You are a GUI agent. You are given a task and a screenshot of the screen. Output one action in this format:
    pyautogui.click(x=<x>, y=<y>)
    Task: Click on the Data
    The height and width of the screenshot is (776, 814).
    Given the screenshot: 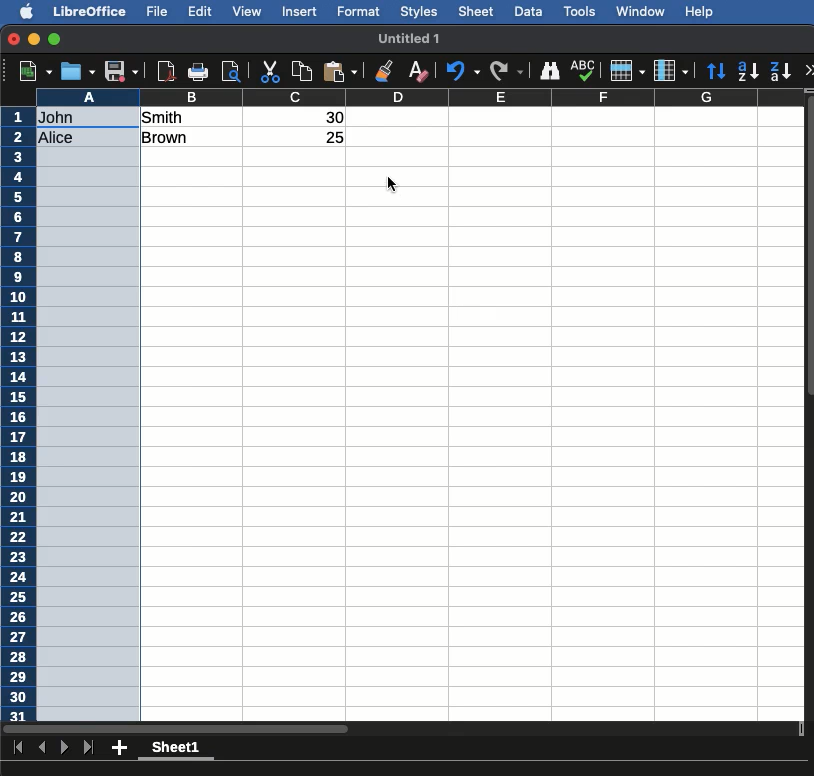 What is the action you would take?
    pyautogui.click(x=530, y=11)
    